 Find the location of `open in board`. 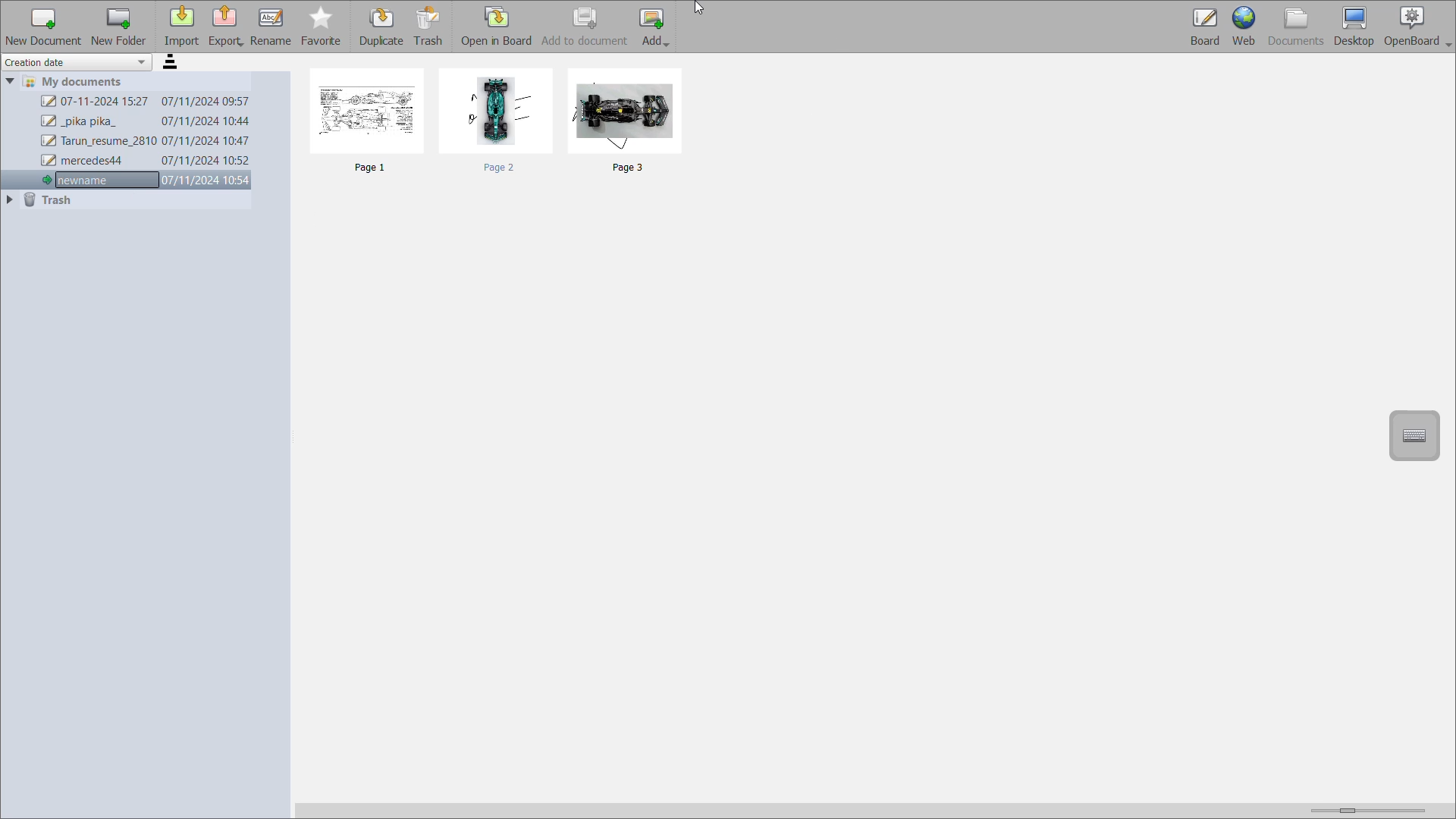

open in board is located at coordinates (499, 27).